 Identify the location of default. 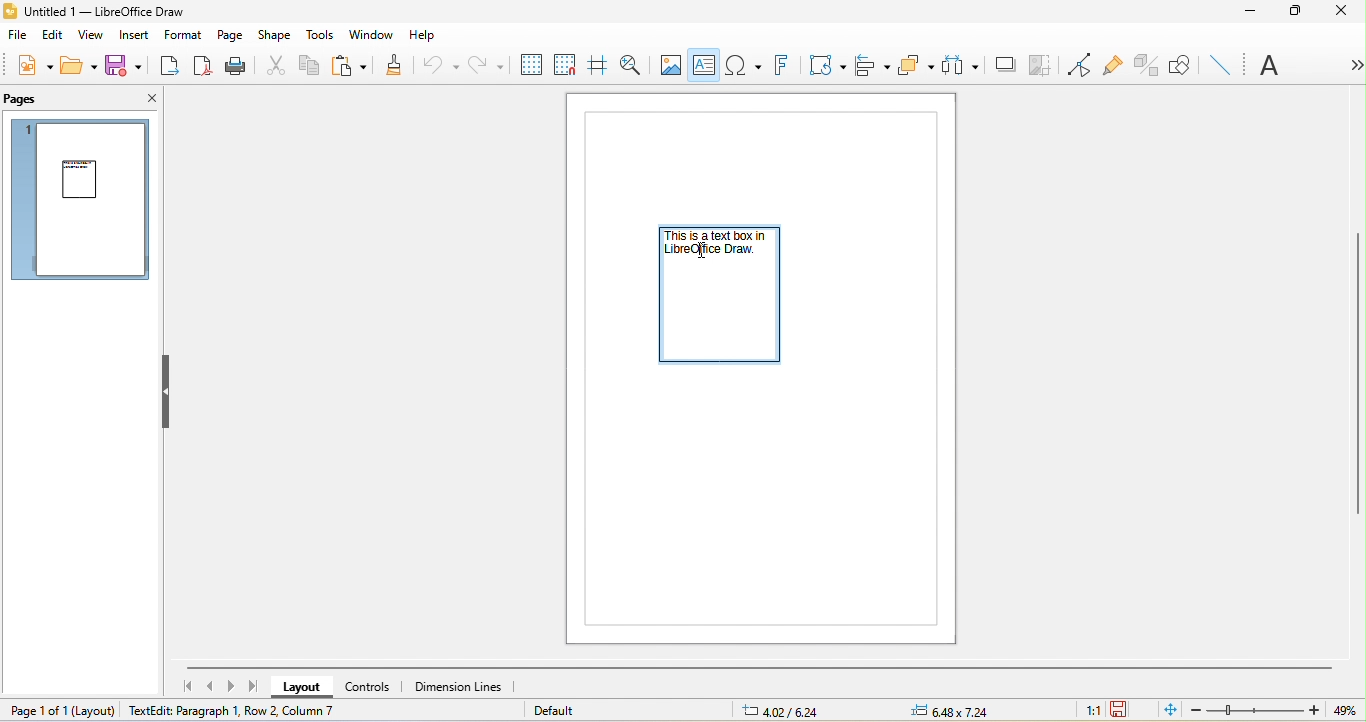
(564, 711).